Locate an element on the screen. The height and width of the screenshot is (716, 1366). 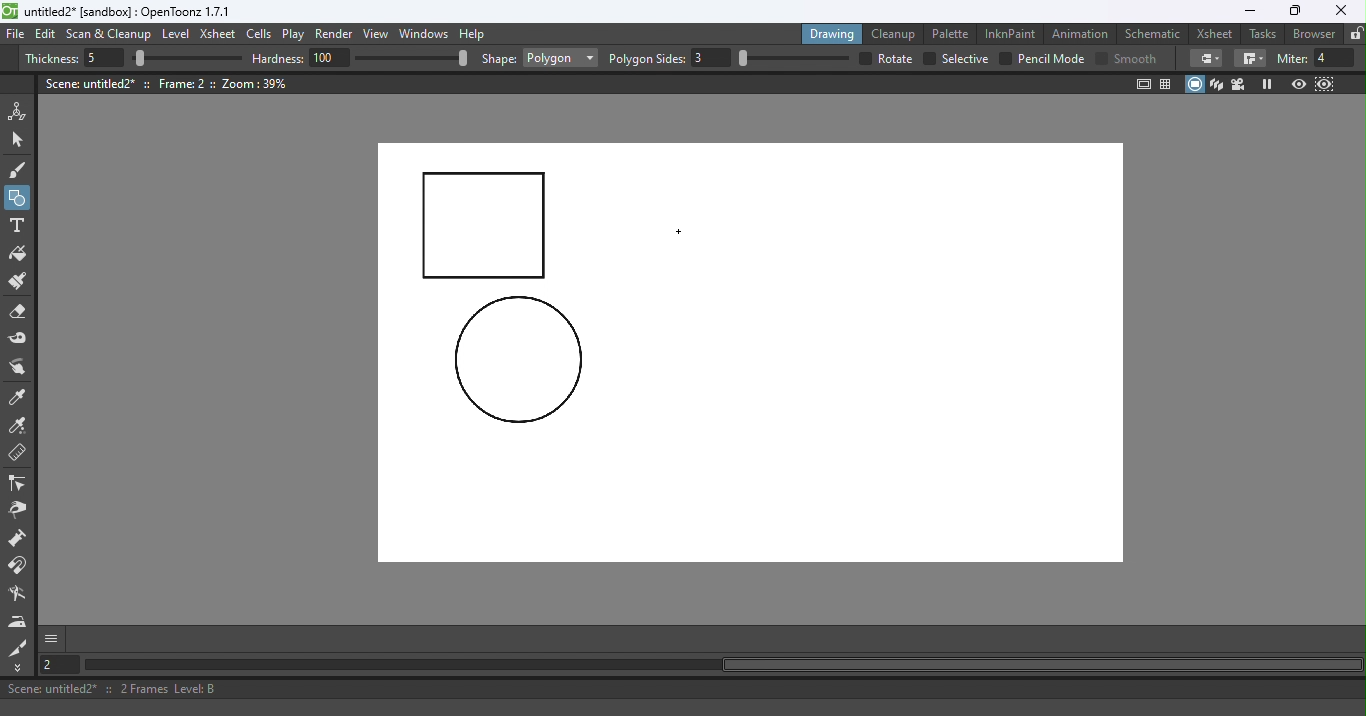
InknPaint is located at coordinates (1011, 32).